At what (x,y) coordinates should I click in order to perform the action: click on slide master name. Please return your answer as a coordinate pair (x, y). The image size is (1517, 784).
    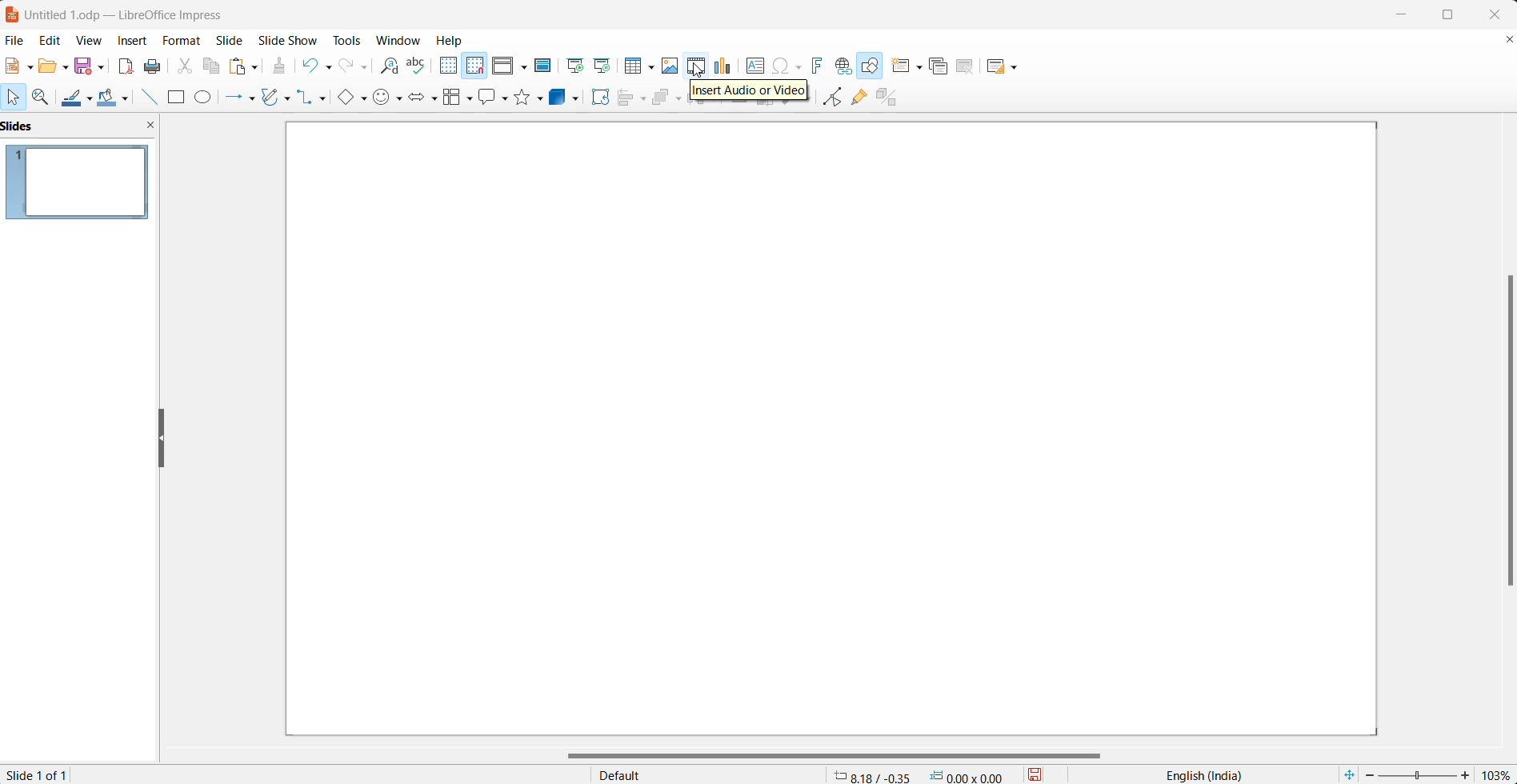
    Looking at the image, I should click on (708, 774).